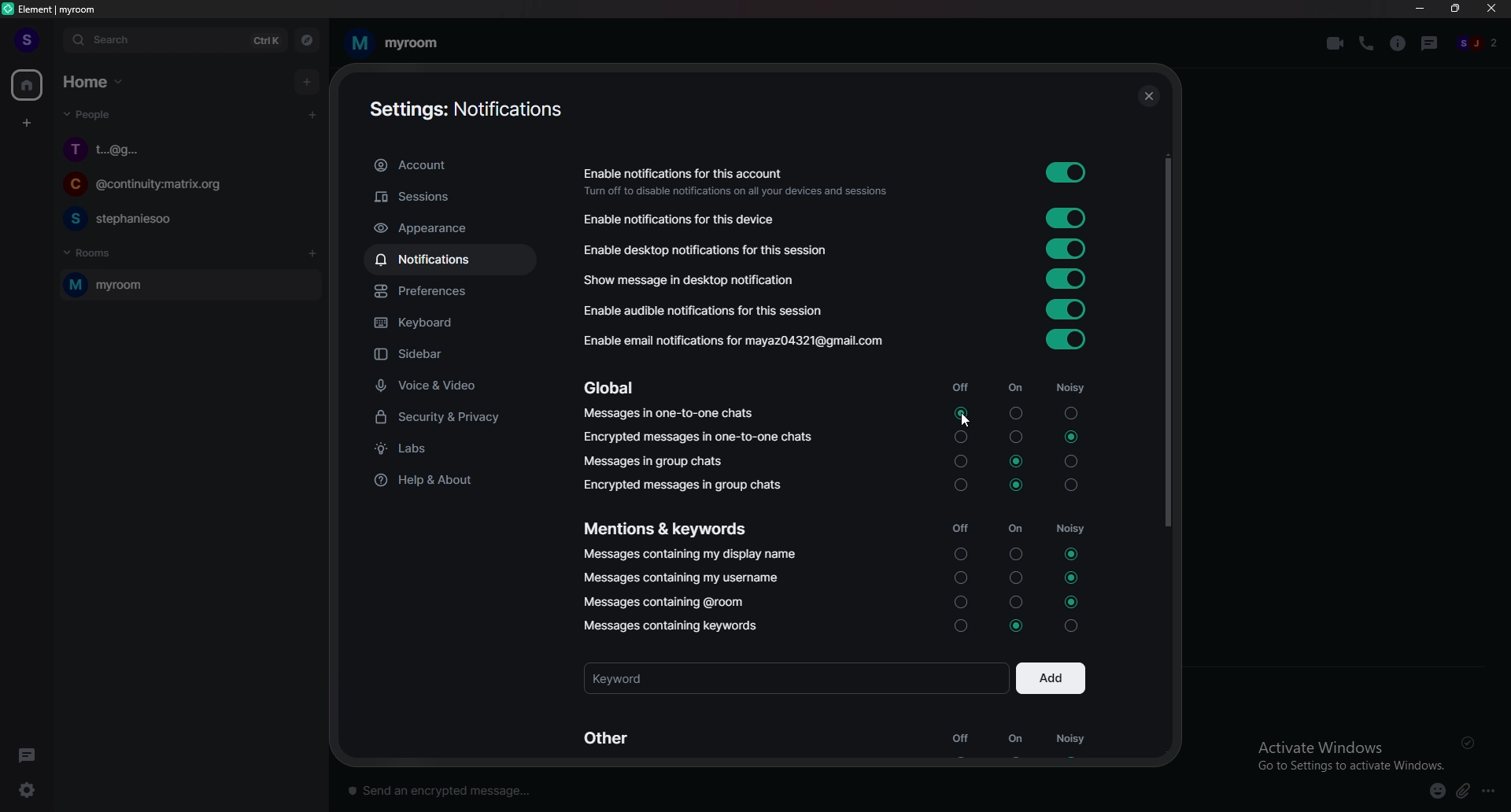  Describe the element at coordinates (1438, 792) in the screenshot. I see `emoji` at that location.